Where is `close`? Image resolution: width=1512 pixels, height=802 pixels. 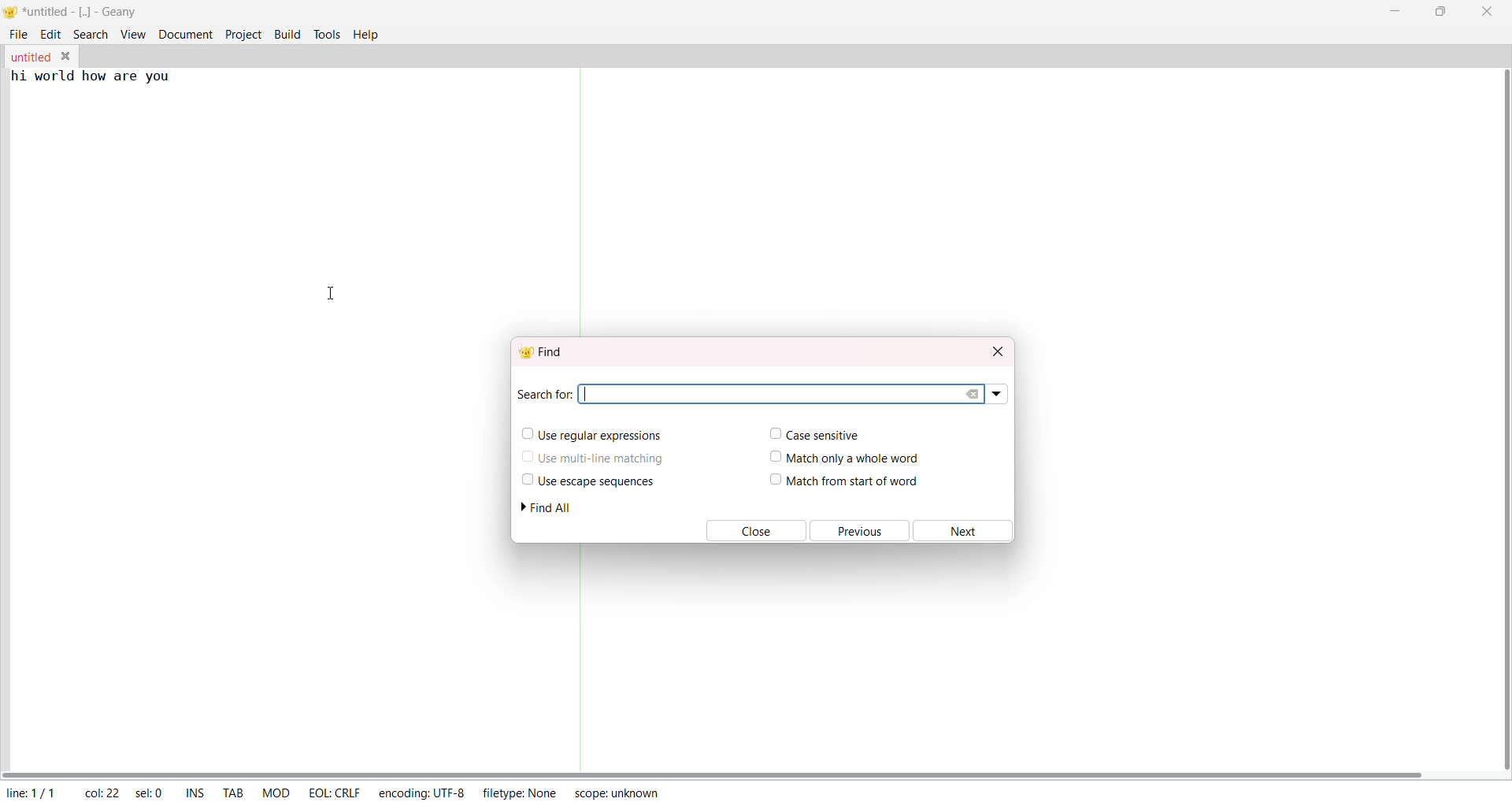
close is located at coordinates (1487, 13).